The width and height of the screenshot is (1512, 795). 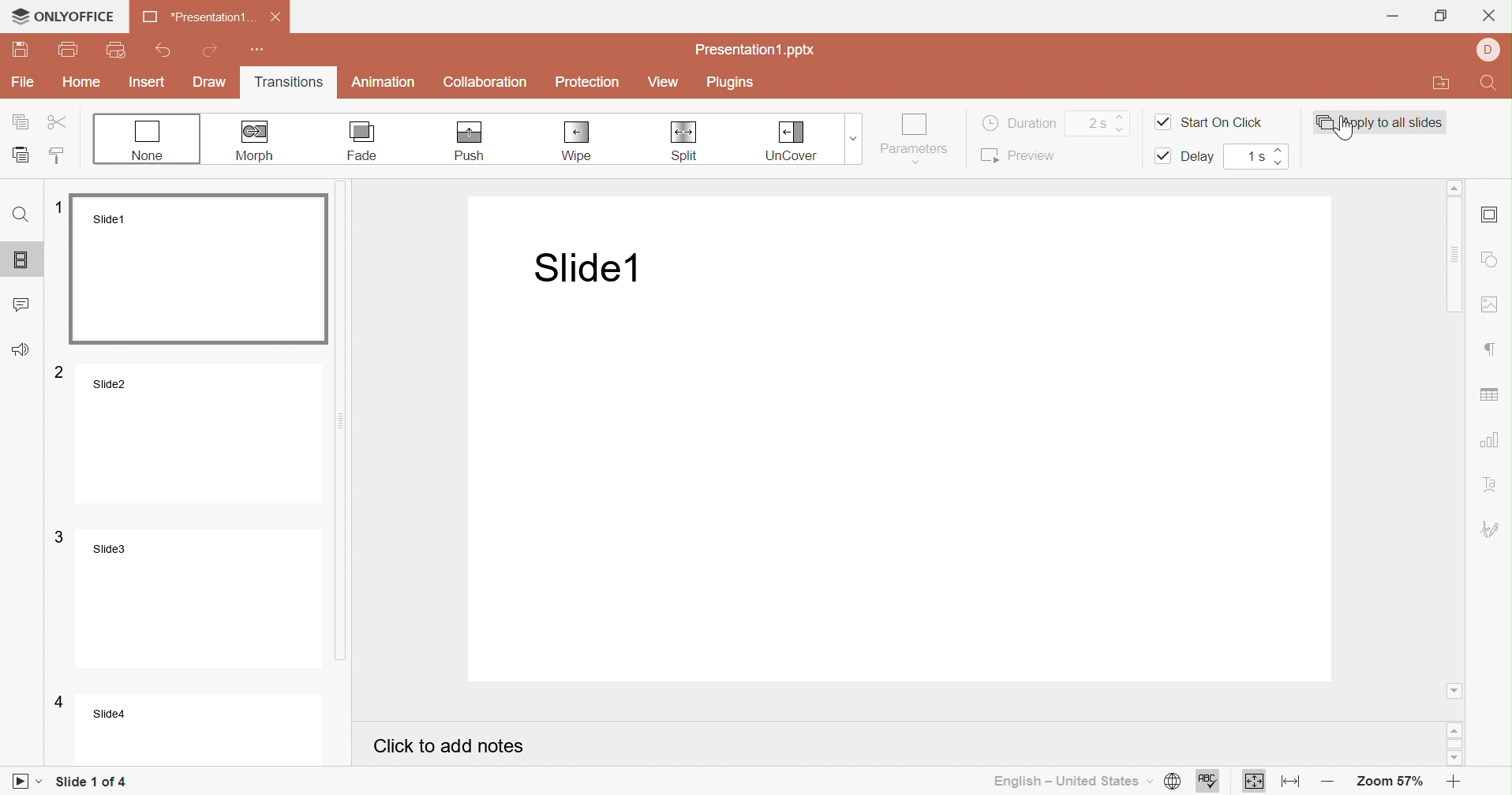 I want to click on Preview, so click(x=1020, y=154).